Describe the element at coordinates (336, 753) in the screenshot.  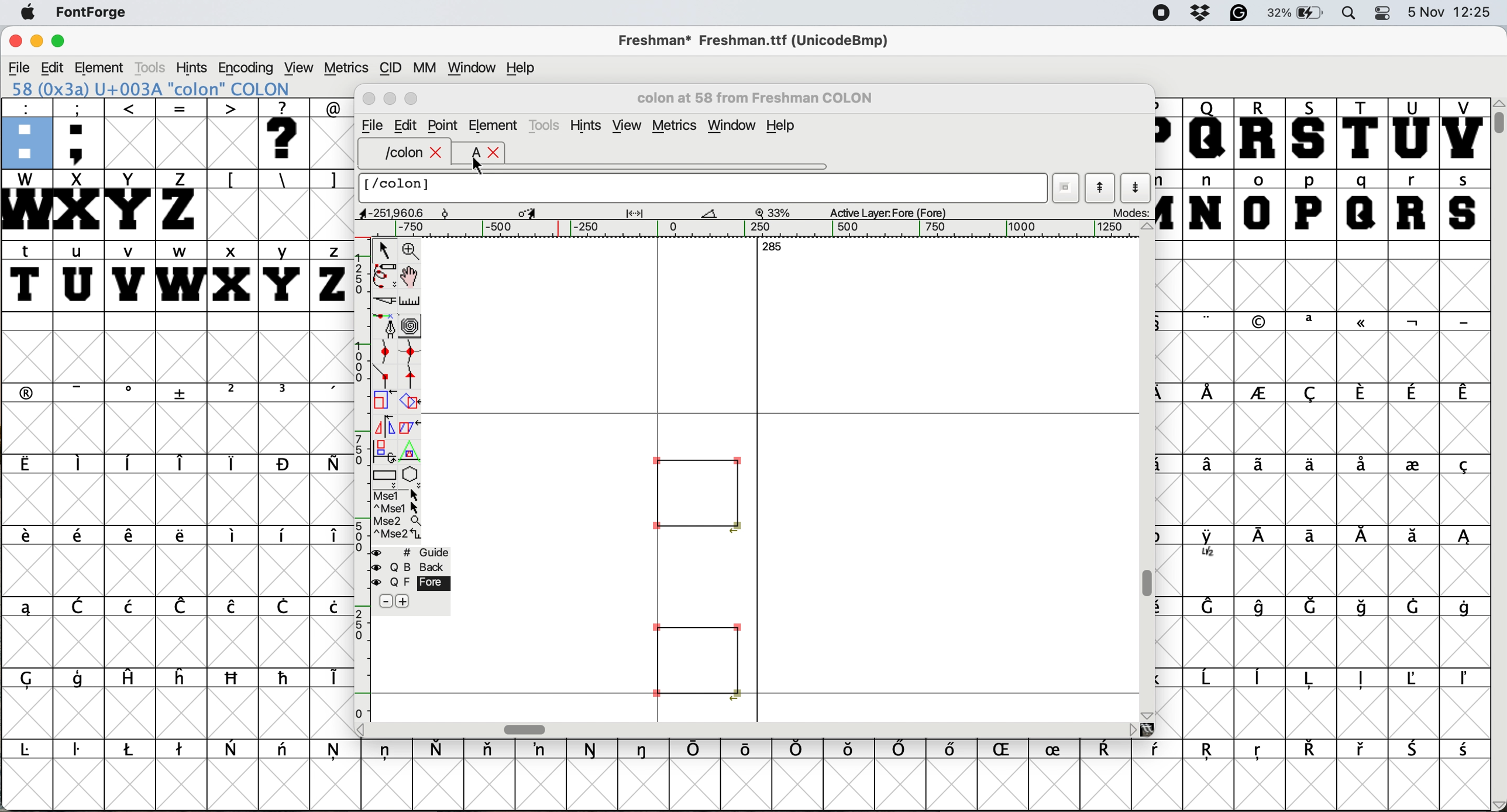
I see `symbol` at that location.